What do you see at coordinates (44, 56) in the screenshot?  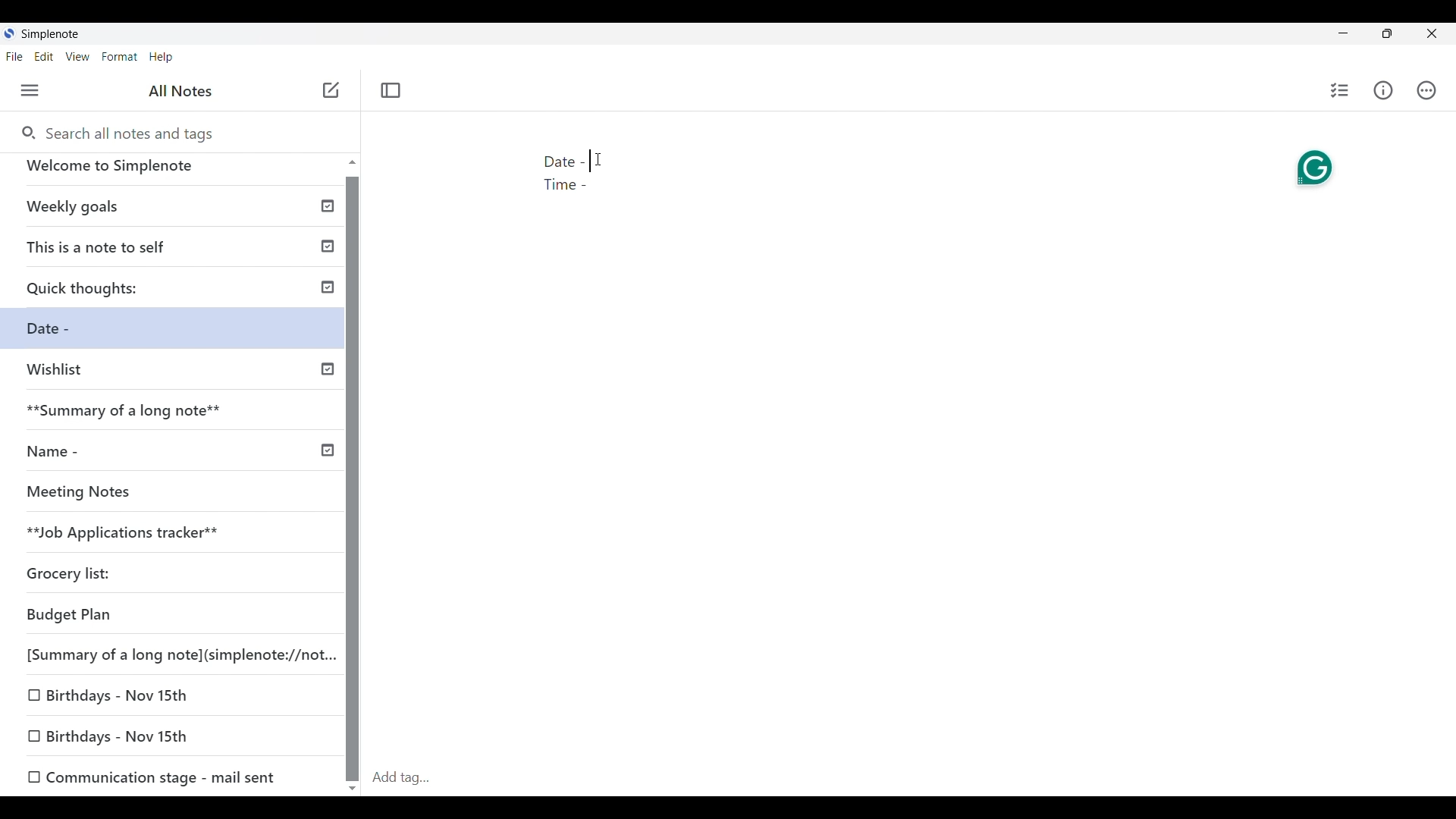 I see `Edit menu` at bounding box center [44, 56].